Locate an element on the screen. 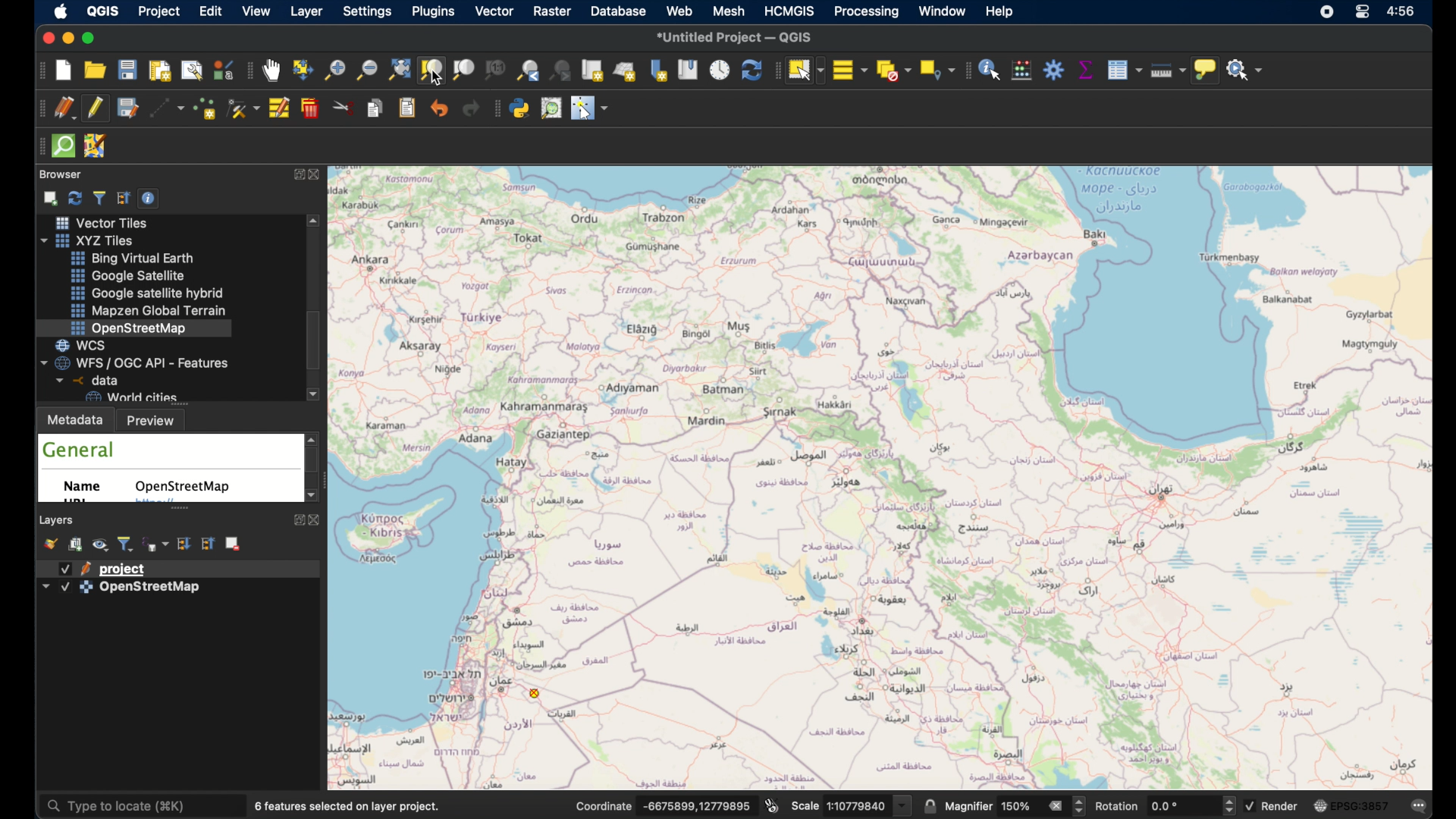  zoom to selection is located at coordinates (435, 70).